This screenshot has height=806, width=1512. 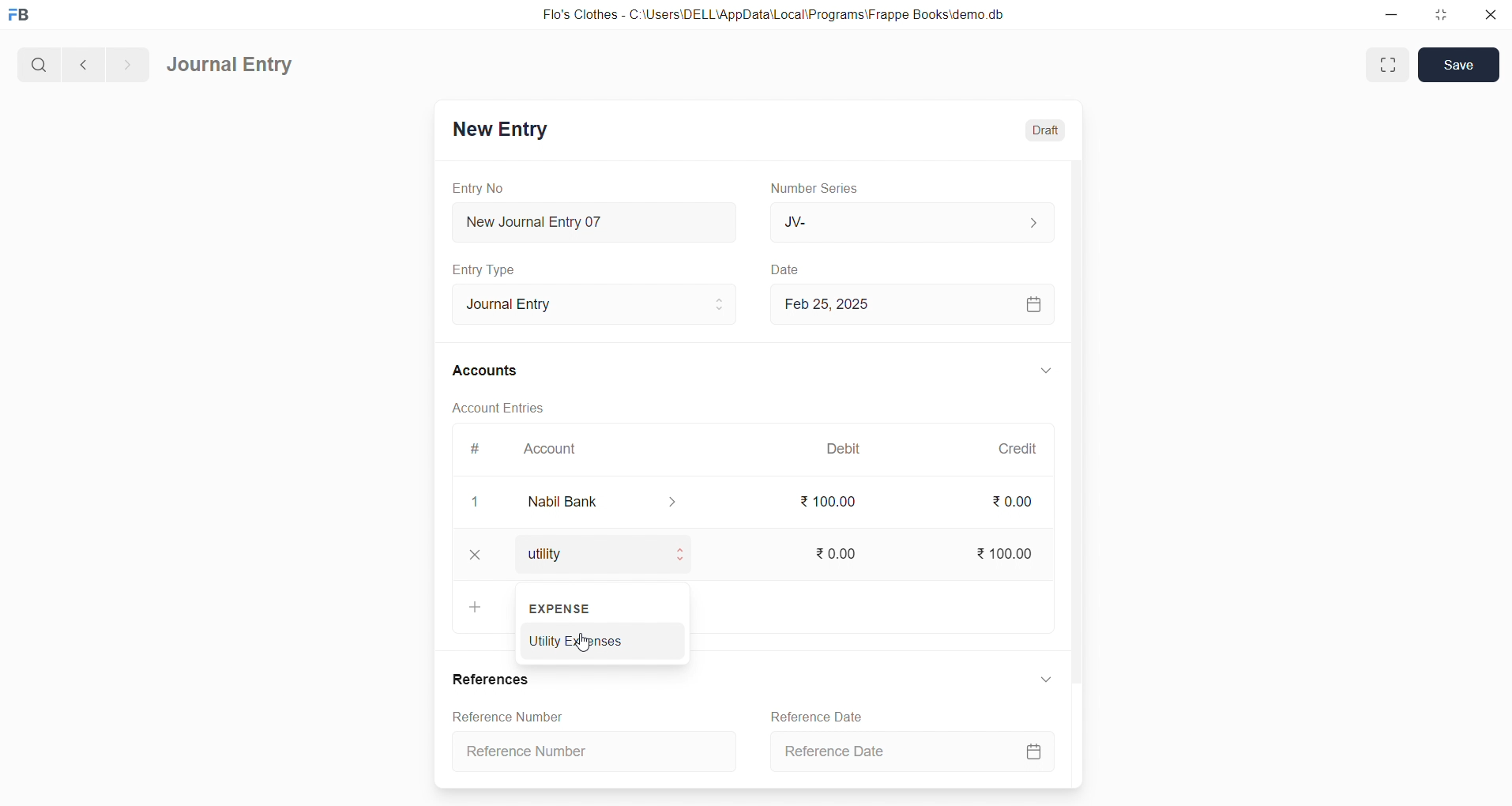 I want to click on Credit, so click(x=1017, y=448).